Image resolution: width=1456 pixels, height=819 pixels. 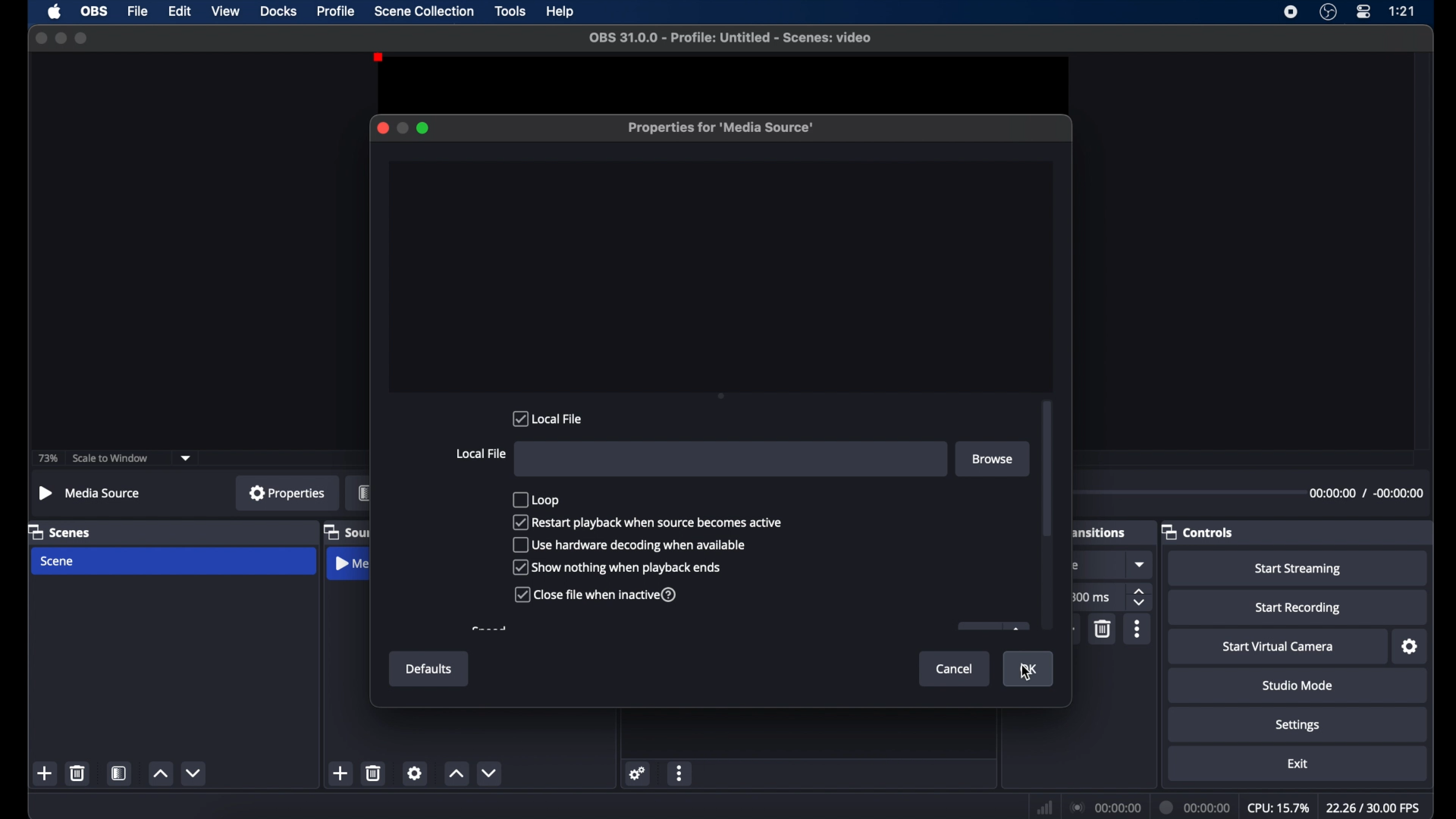 I want to click on scene transitions, so click(x=1100, y=533).